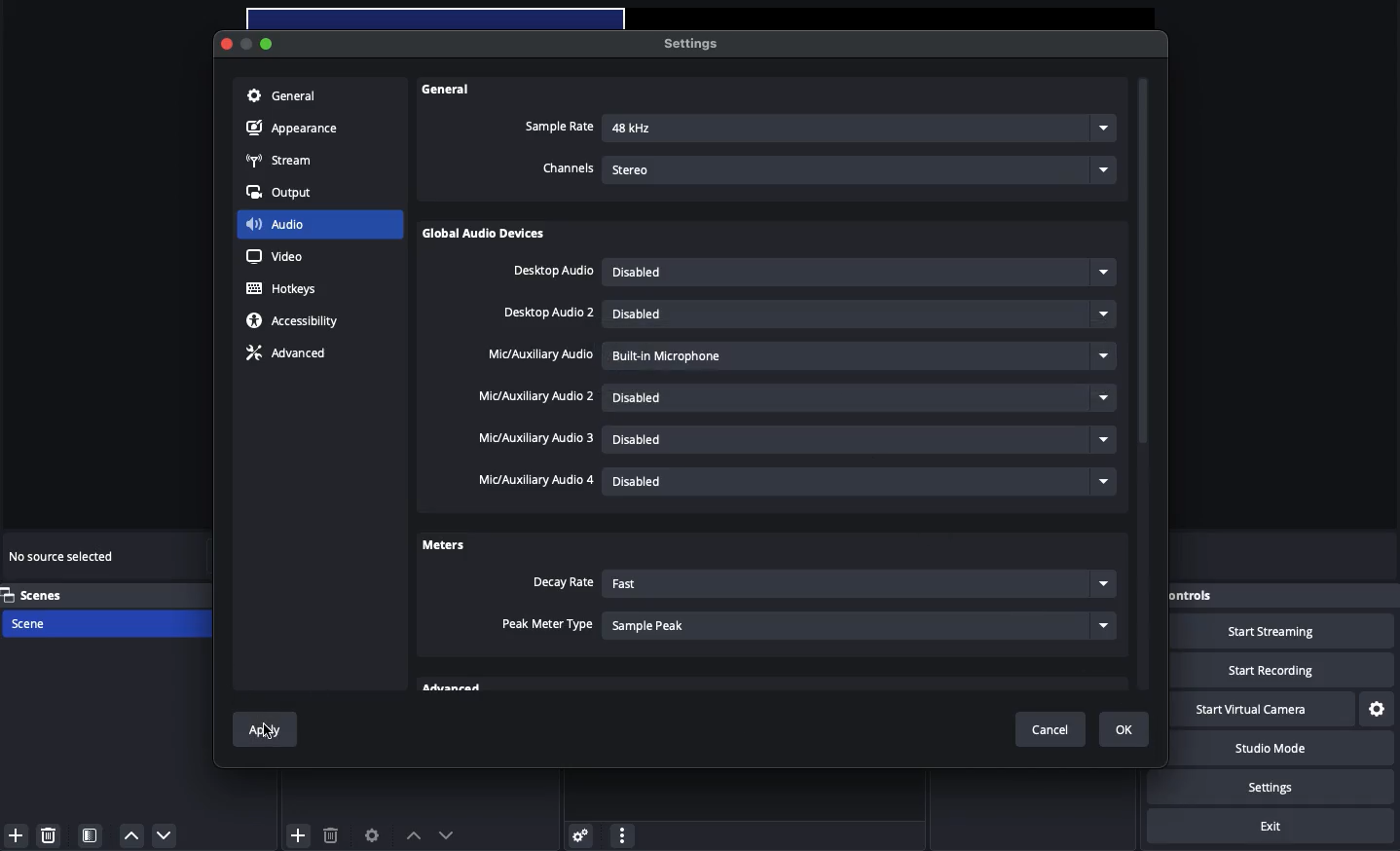  Describe the element at coordinates (1287, 787) in the screenshot. I see `Settings` at that location.